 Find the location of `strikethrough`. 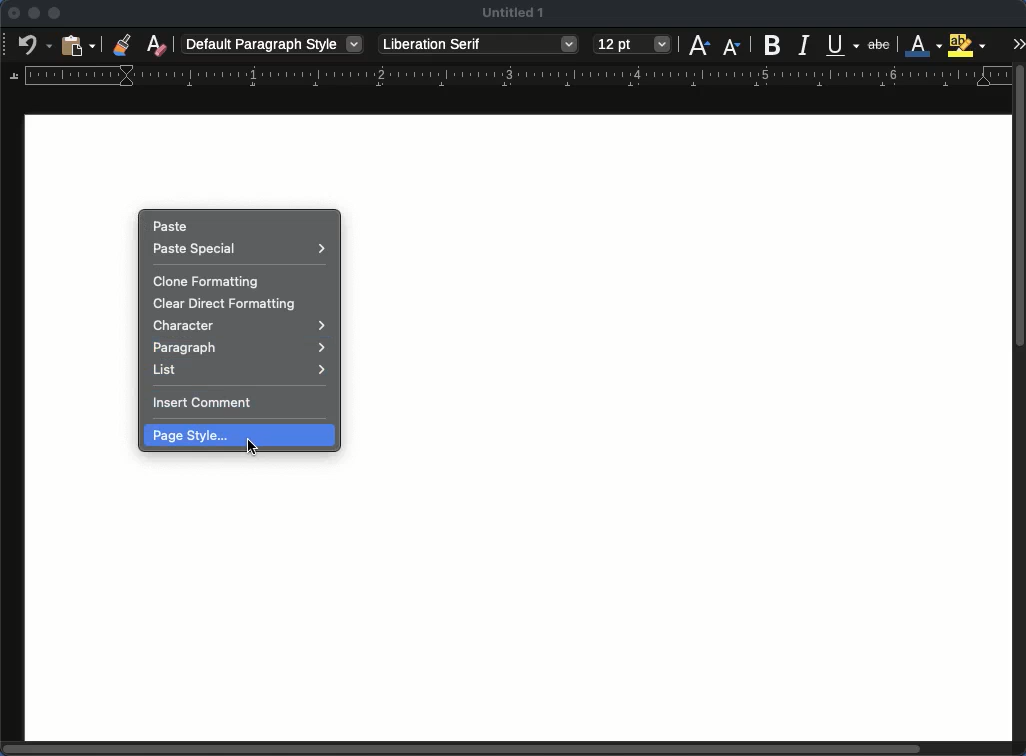

strikethrough is located at coordinates (878, 44).